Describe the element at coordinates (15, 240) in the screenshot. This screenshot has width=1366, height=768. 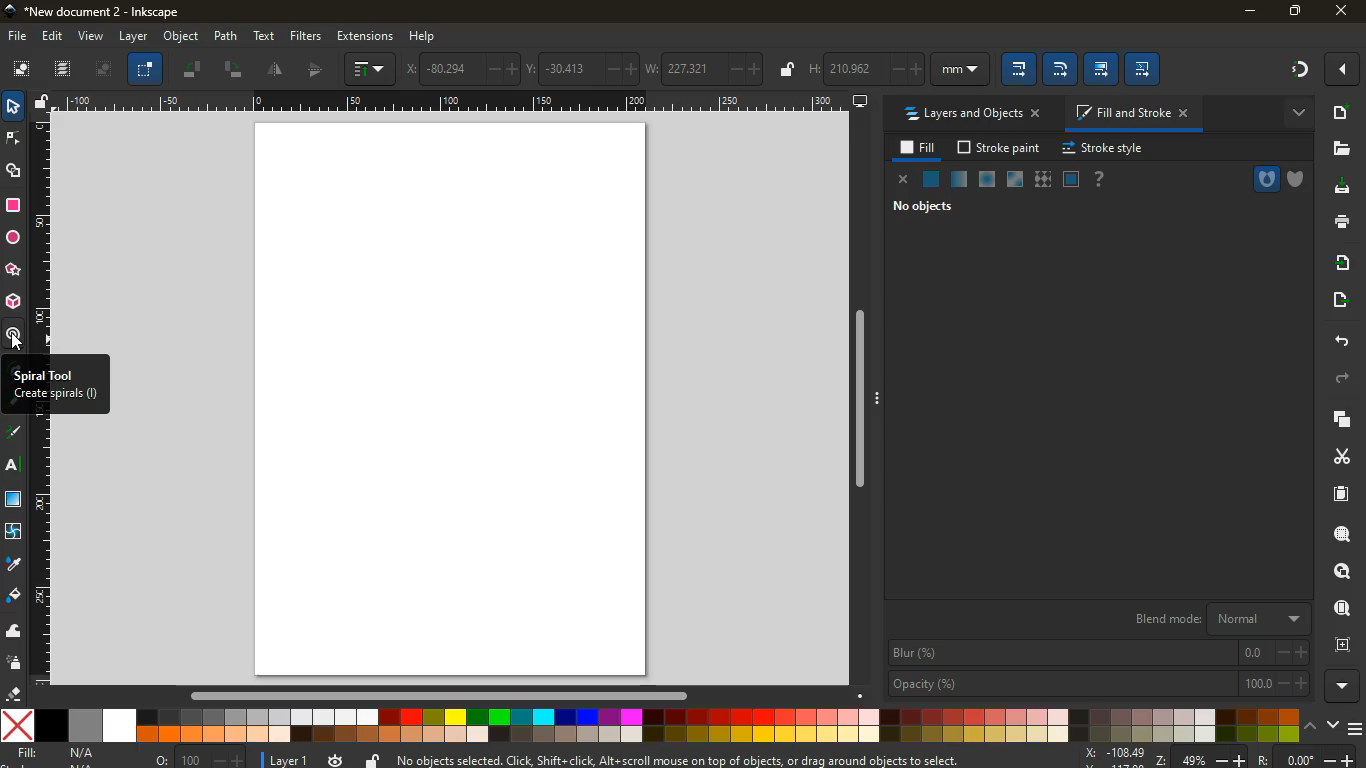
I see `circle` at that location.